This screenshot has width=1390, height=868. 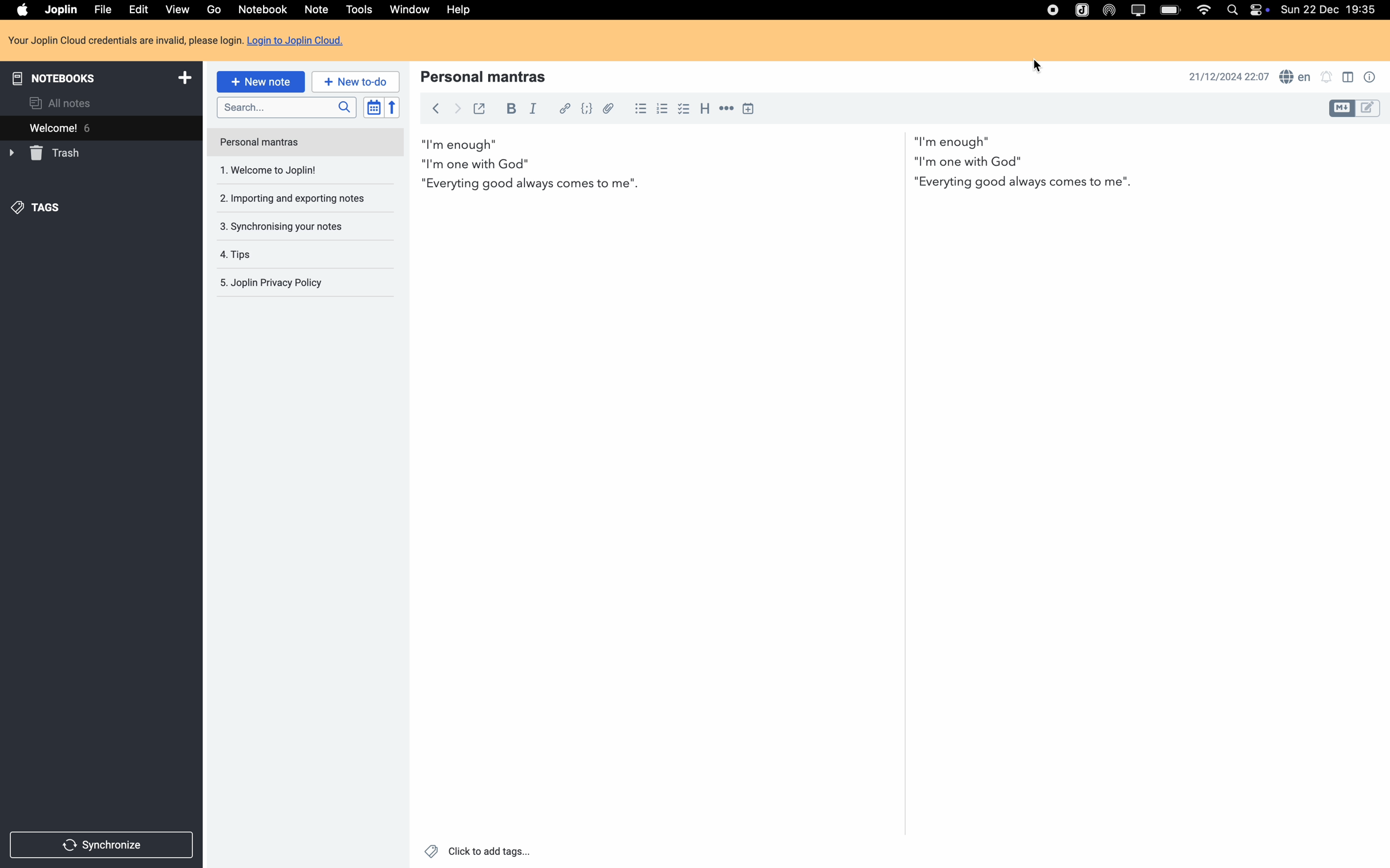 I want to click on numbered list, so click(x=661, y=108).